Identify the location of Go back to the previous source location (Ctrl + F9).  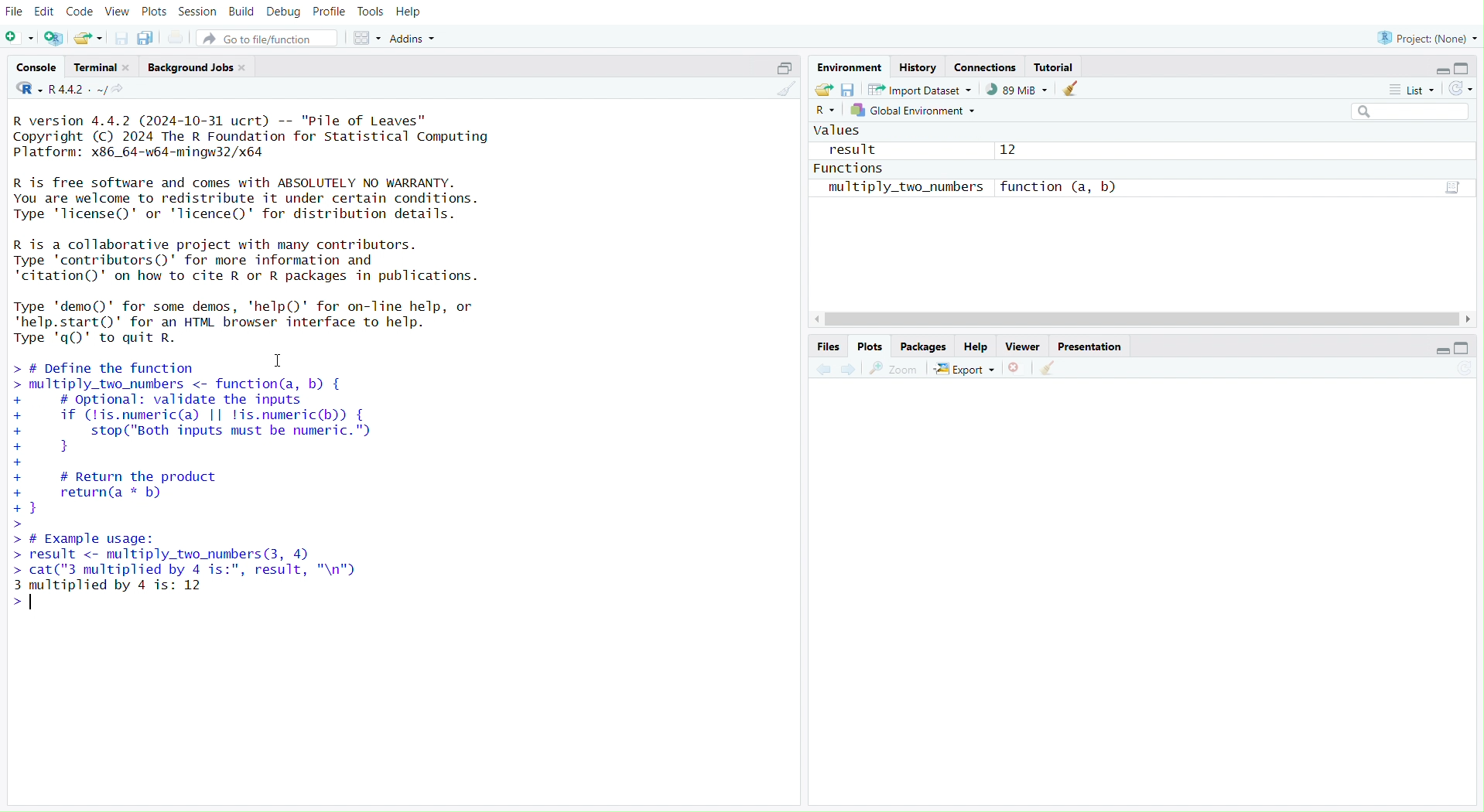
(824, 368).